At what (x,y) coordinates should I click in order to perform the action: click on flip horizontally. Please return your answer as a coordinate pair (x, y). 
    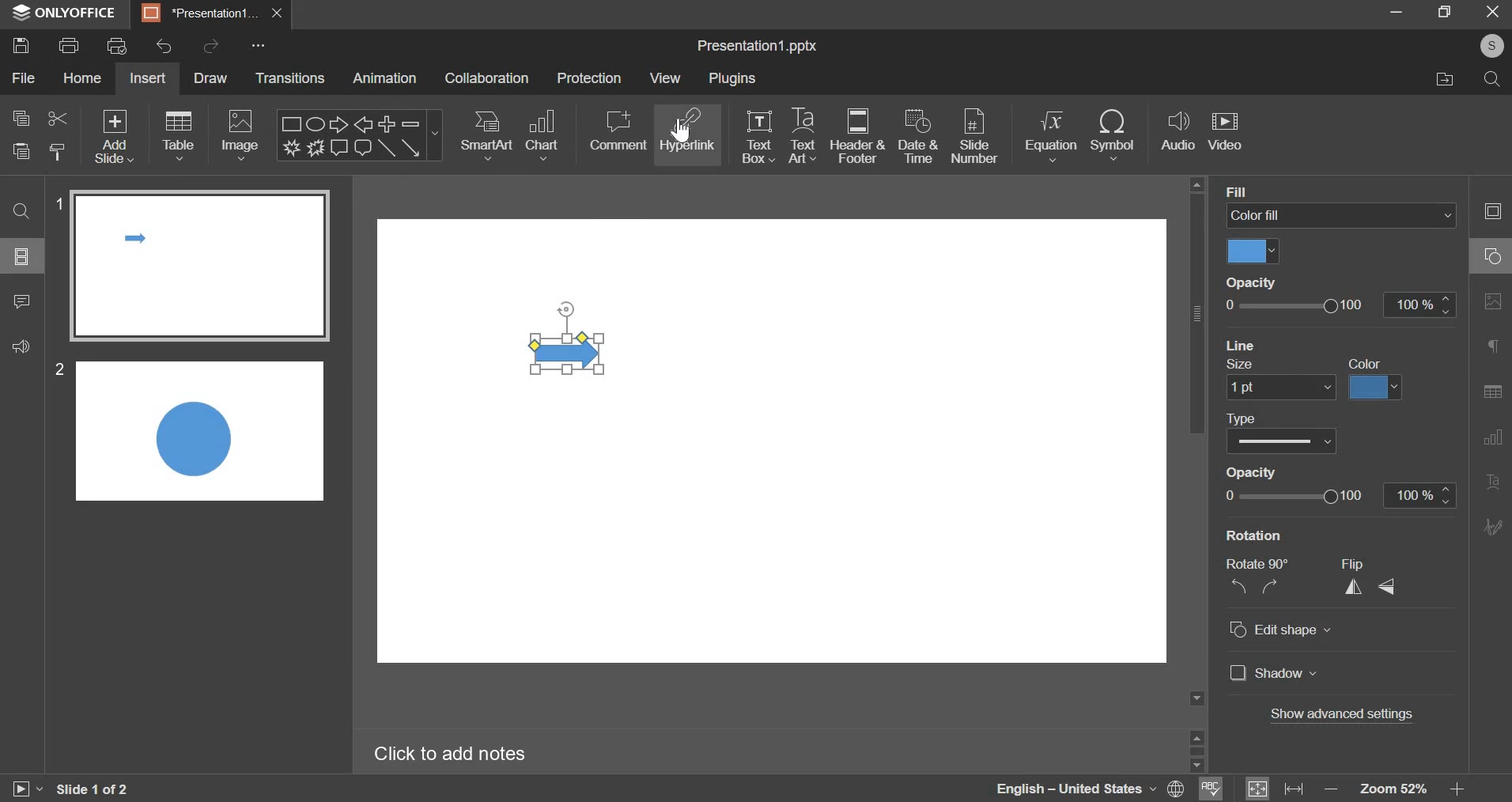
    Looking at the image, I should click on (1352, 587).